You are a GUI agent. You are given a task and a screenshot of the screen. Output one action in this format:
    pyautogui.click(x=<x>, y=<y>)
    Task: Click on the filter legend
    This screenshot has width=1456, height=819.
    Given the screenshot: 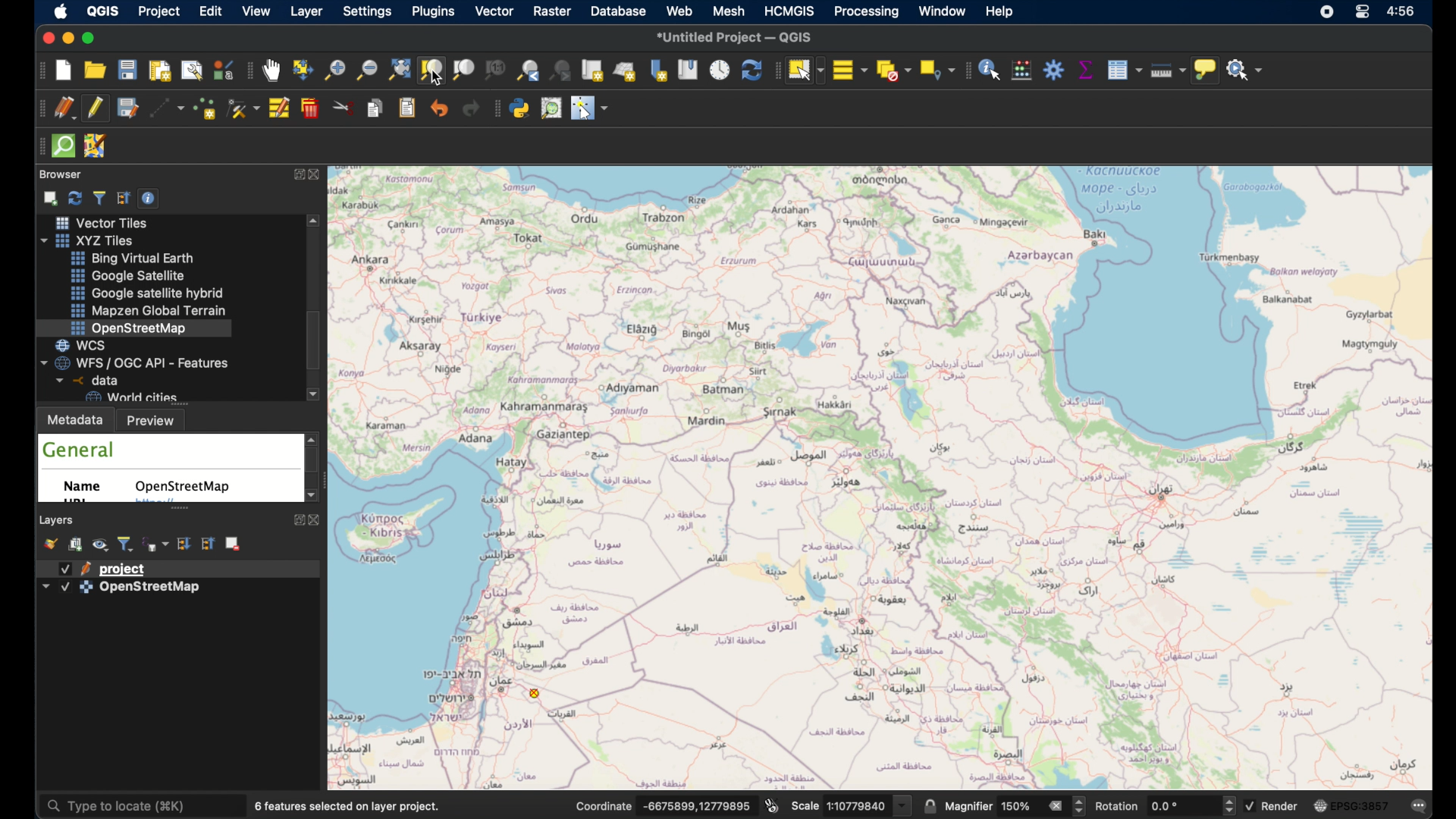 What is the action you would take?
    pyautogui.click(x=127, y=544)
    